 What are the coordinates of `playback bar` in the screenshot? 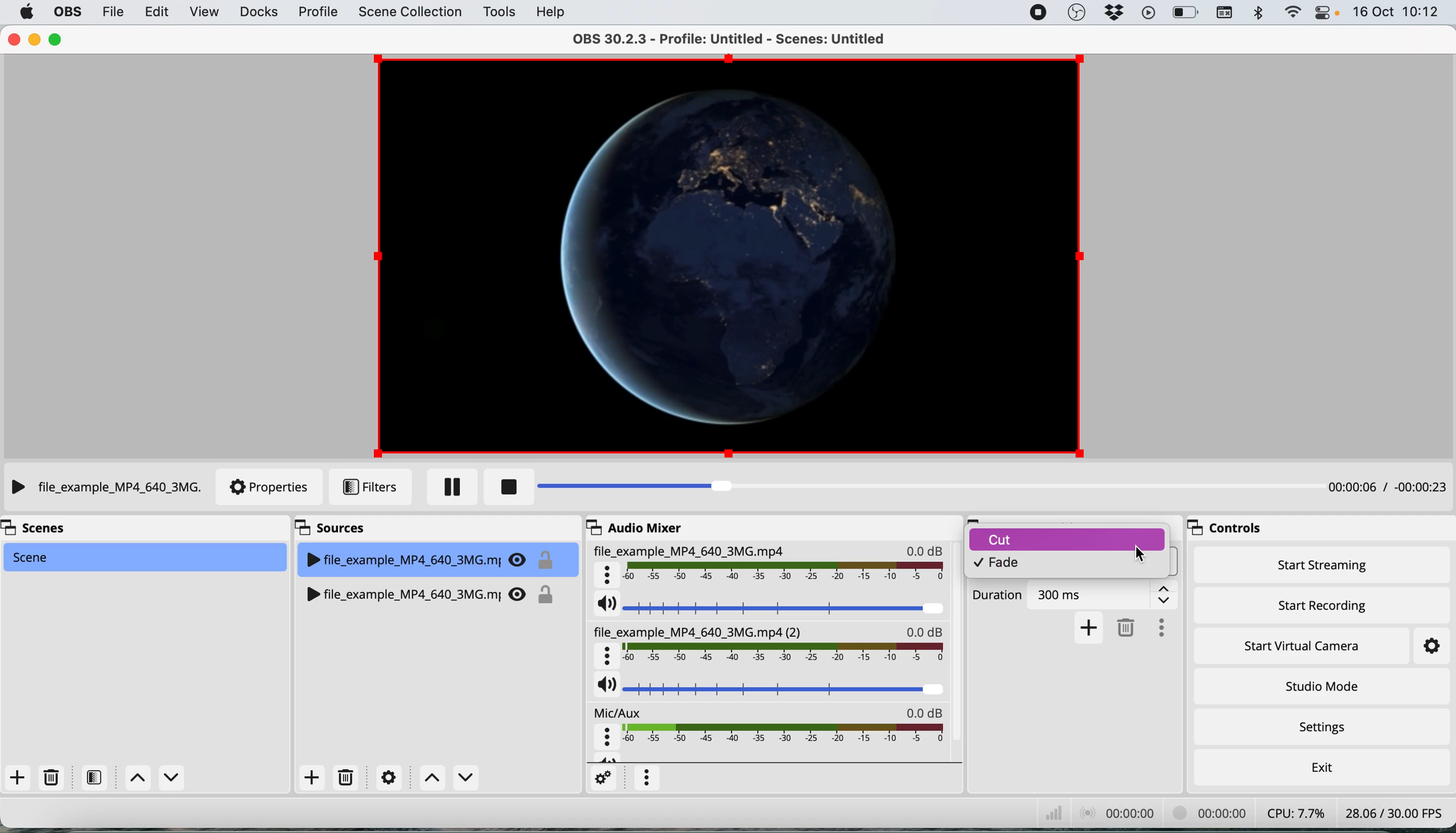 It's located at (638, 489).